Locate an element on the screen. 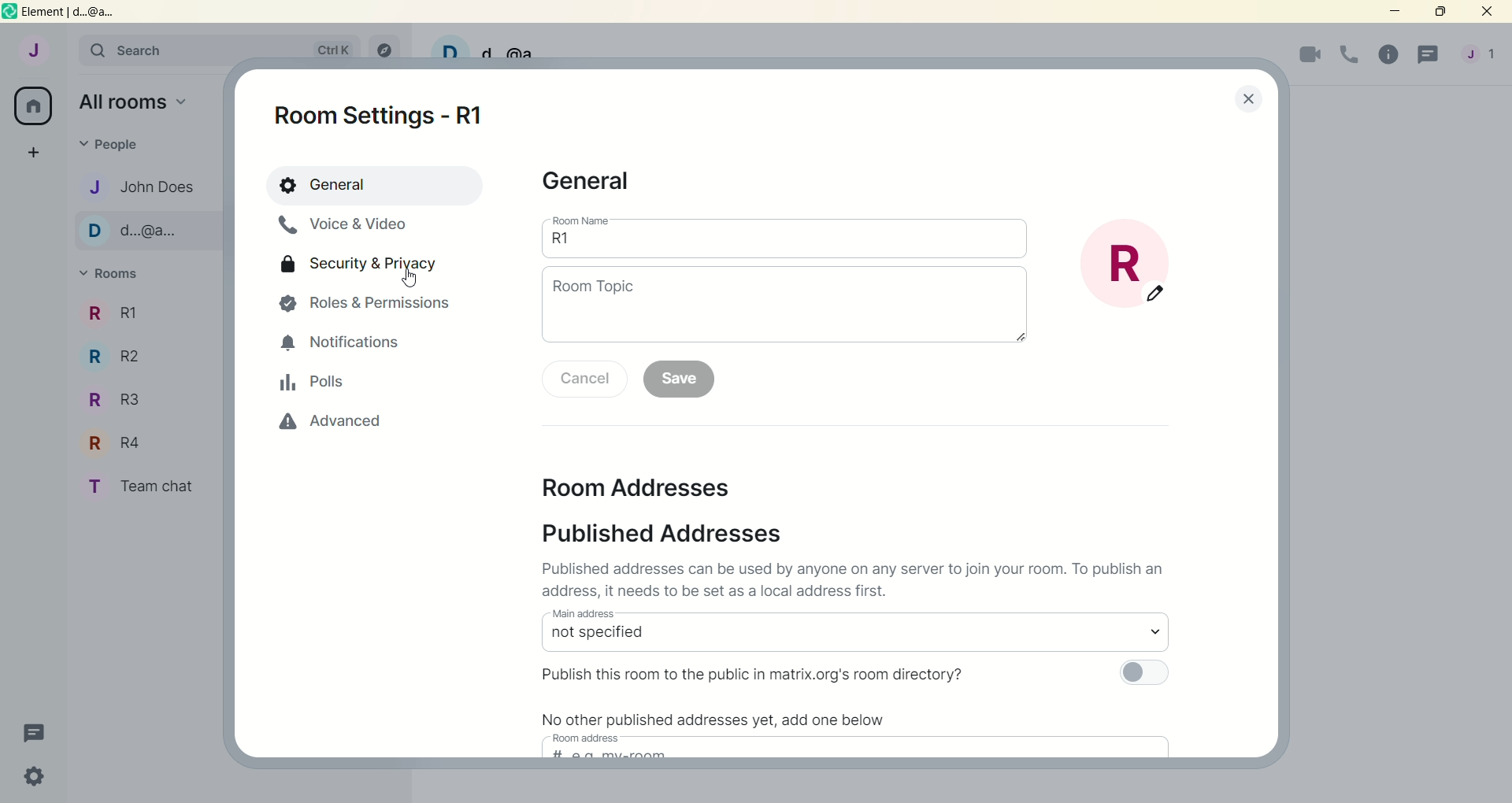  close is located at coordinates (1232, 101).